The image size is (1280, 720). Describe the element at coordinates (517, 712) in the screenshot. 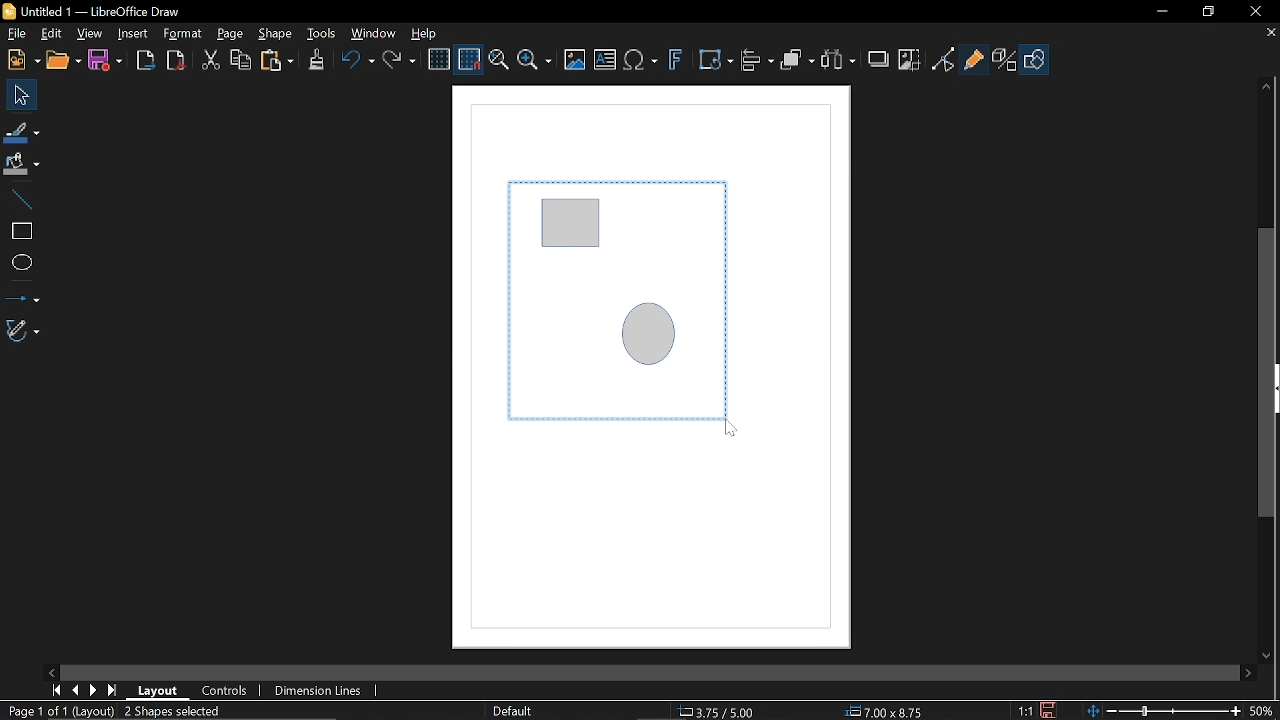

I see `Slide master name` at that location.